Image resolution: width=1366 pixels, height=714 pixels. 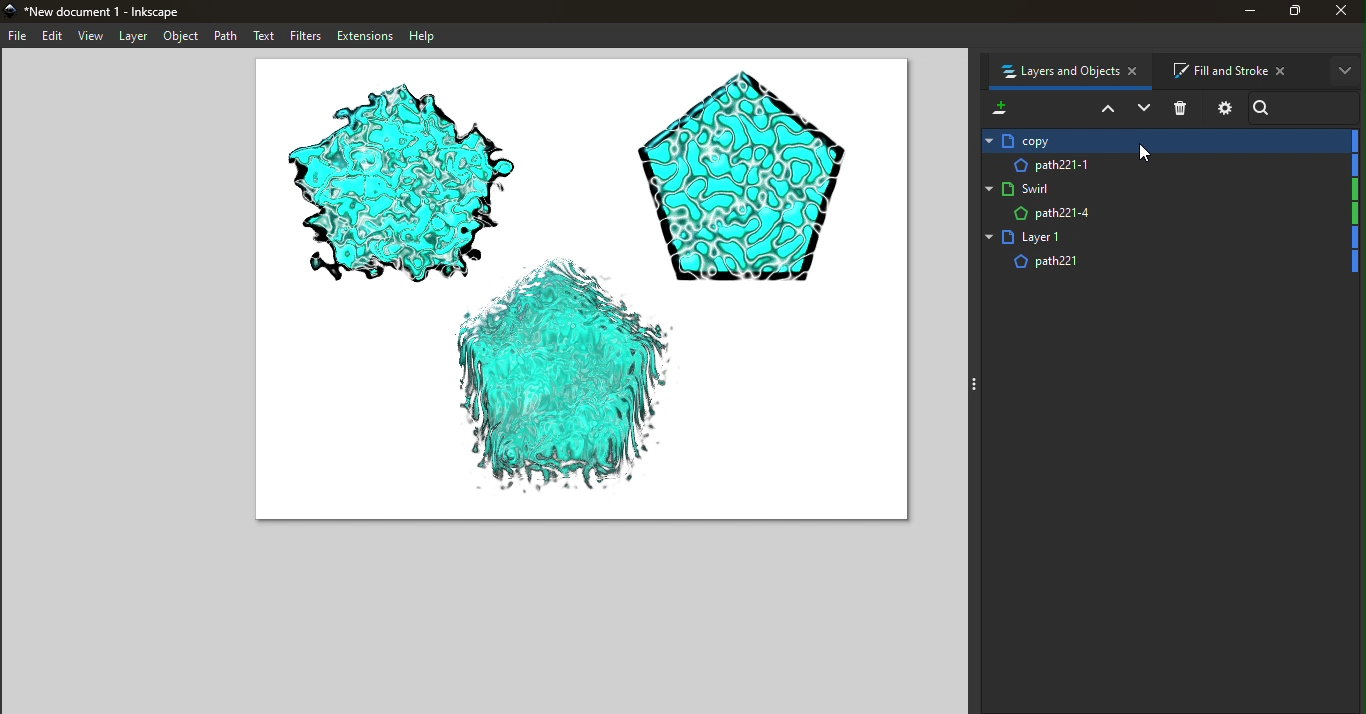 What do you see at coordinates (424, 35) in the screenshot?
I see `Help` at bounding box center [424, 35].